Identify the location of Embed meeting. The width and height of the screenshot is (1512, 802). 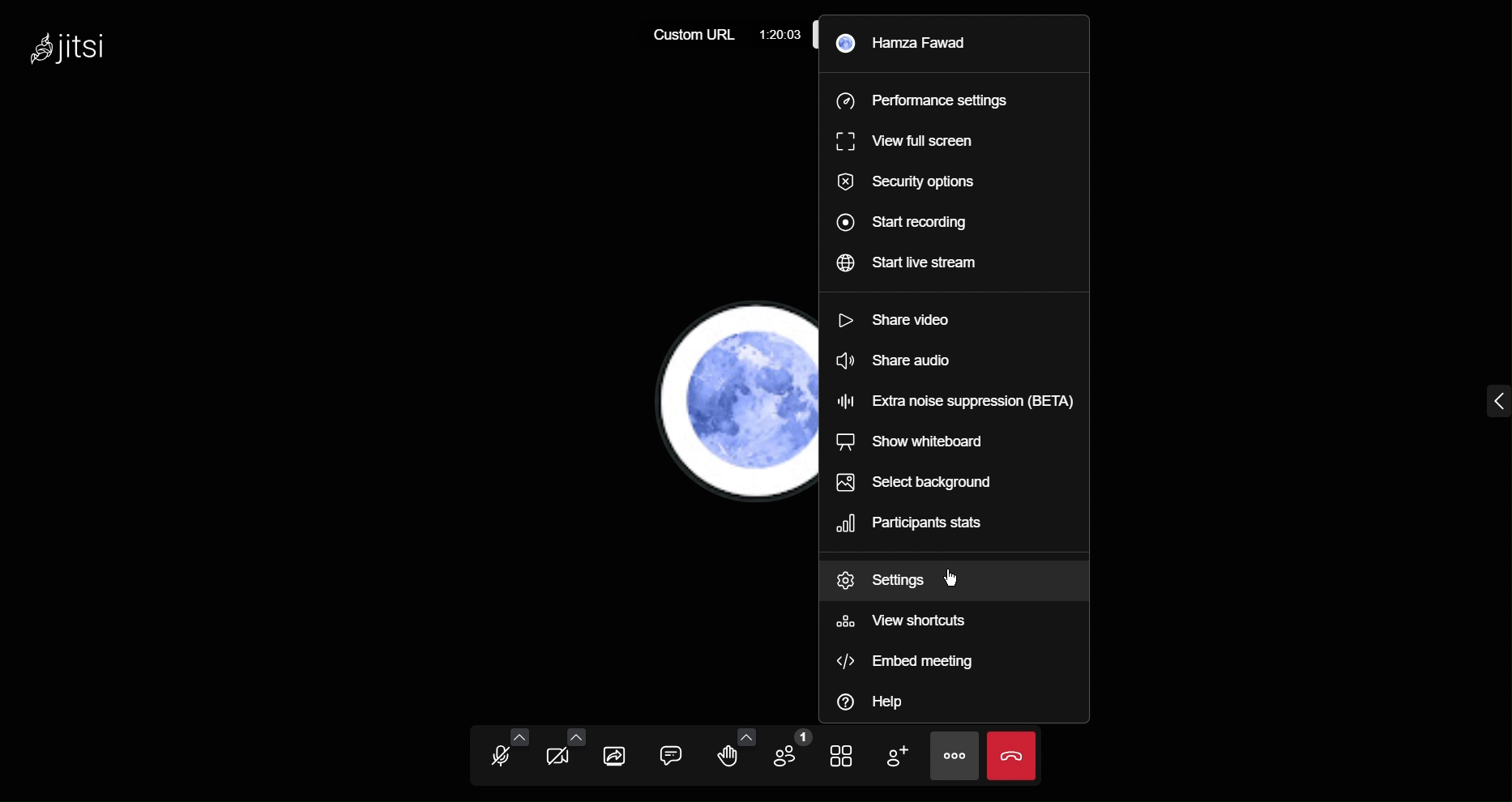
(913, 663).